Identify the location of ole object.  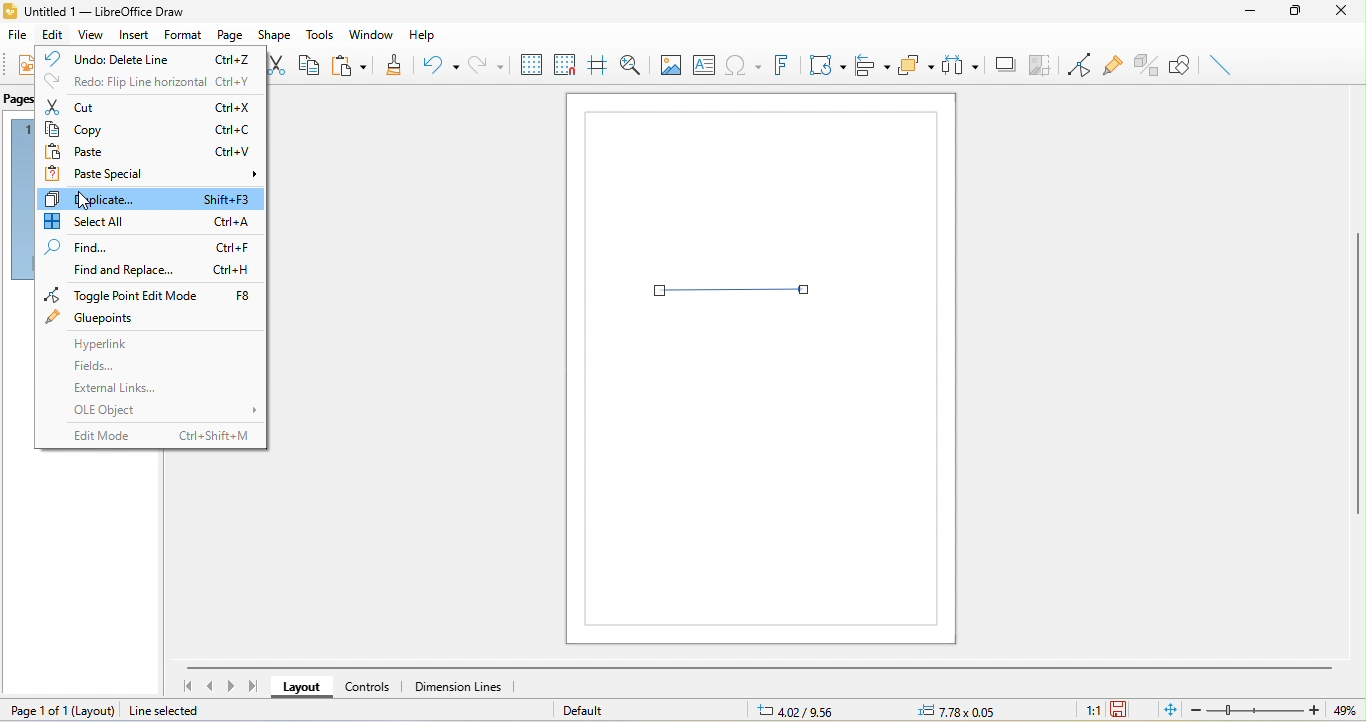
(162, 410).